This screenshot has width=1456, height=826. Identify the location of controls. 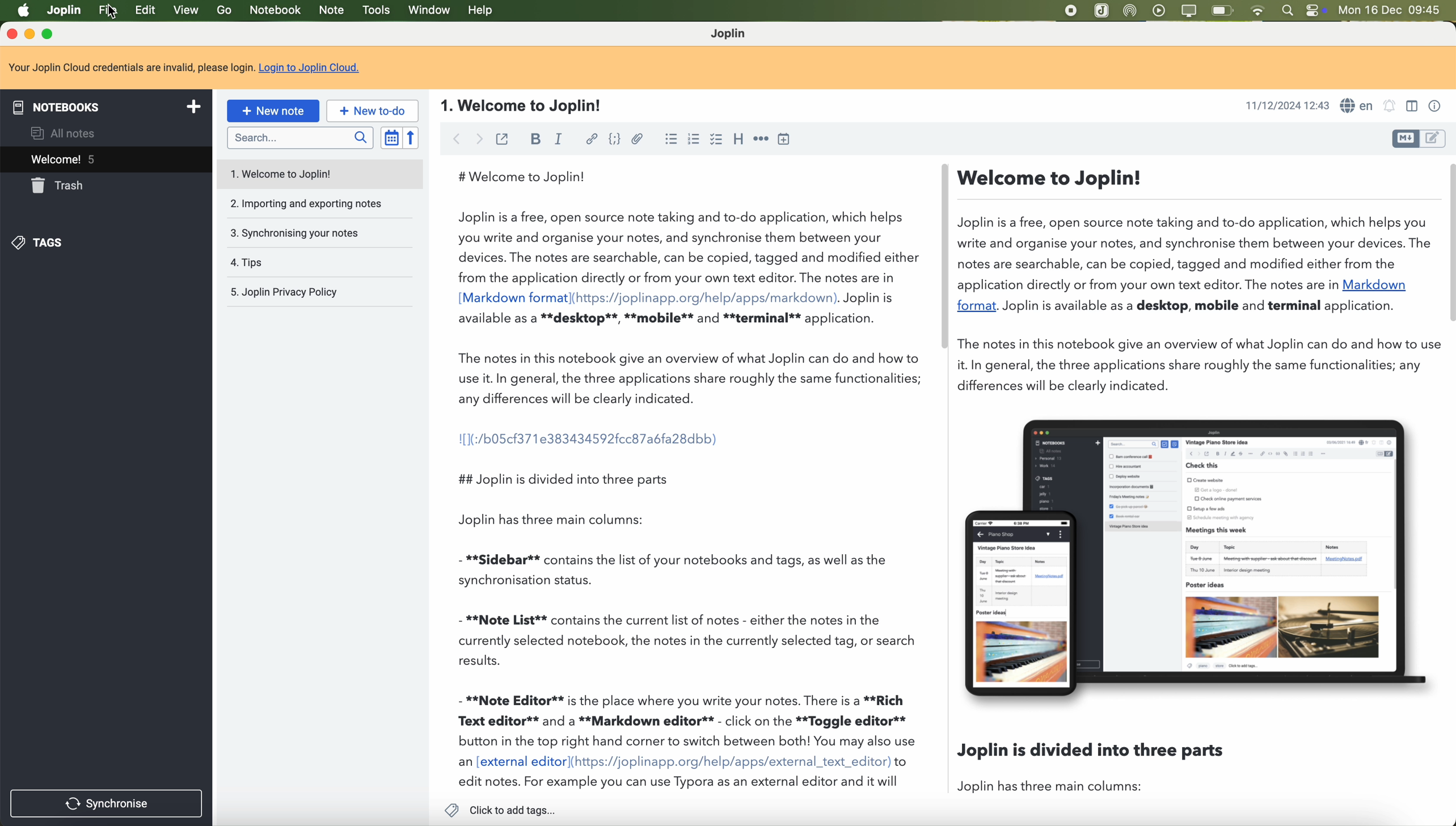
(1319, 11).